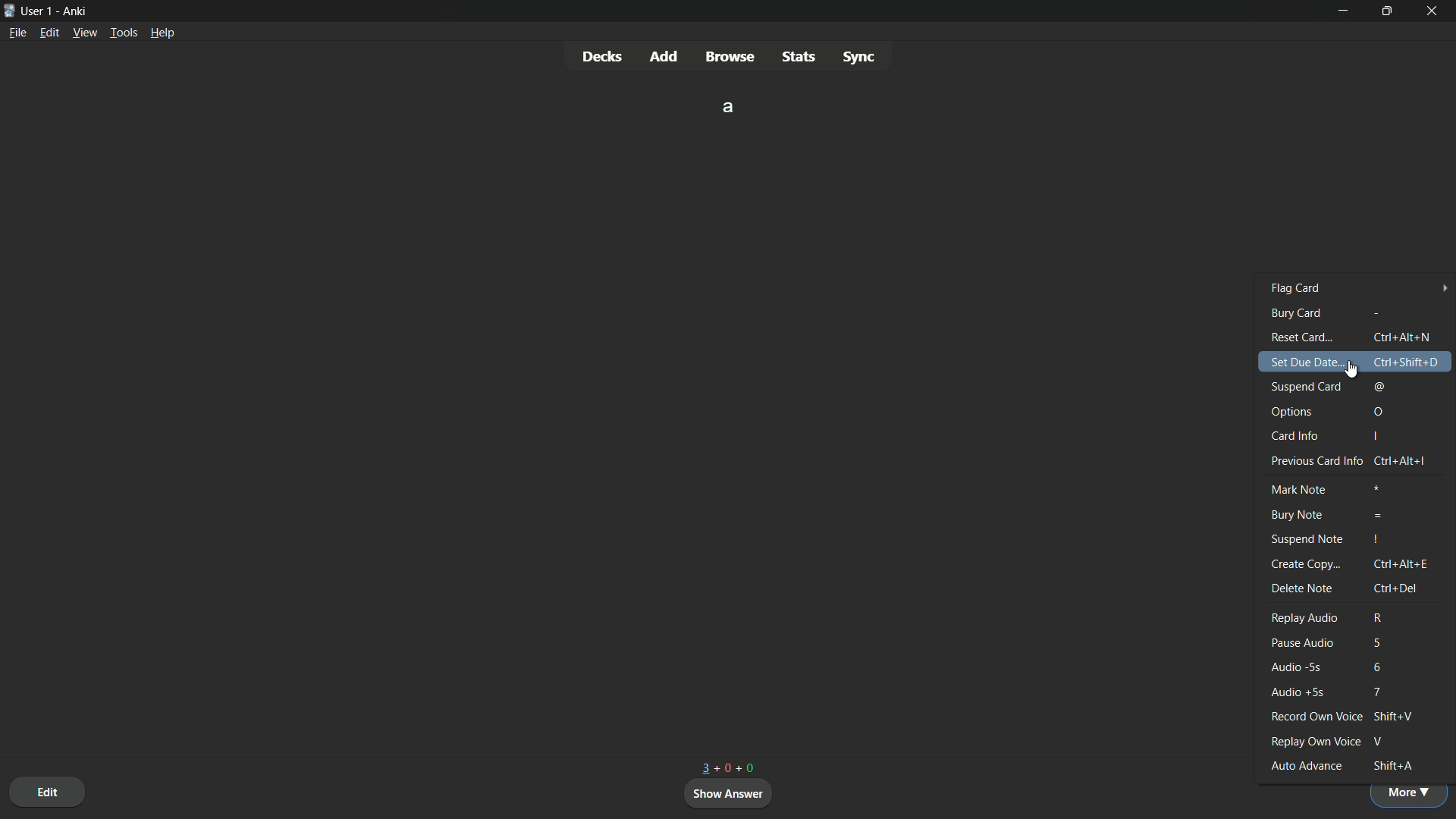 This screenshot has width=1456, height=819. What do you see at coordinates (1391, 767) in the screenshot?
I see `keyboard shortcut` at bounding box center [1391, 767].